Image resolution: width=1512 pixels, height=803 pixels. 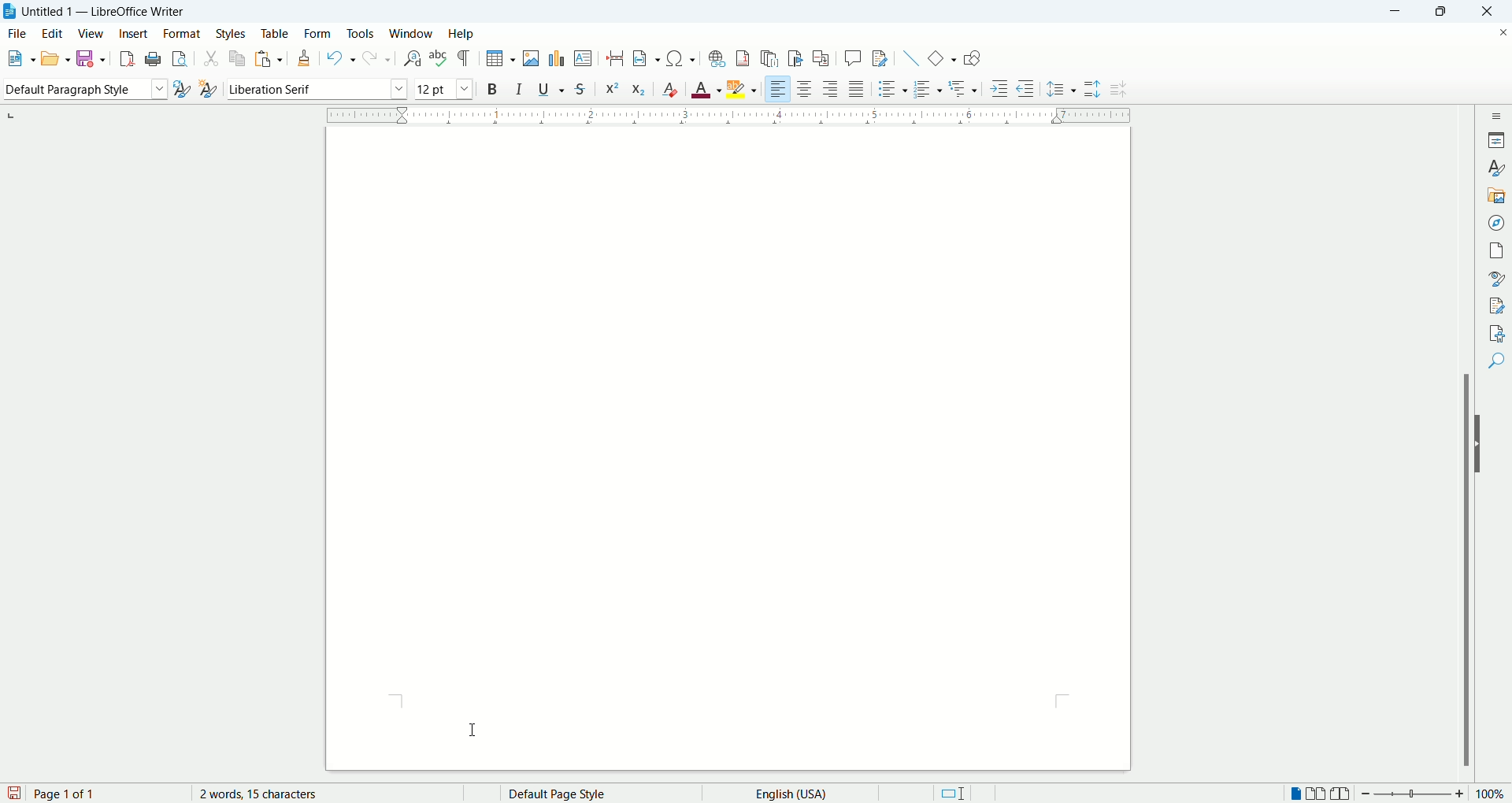 What do you see at coordinates (520, 88) in the screenshot?
I see `italic` at bounding box center [520, 88].